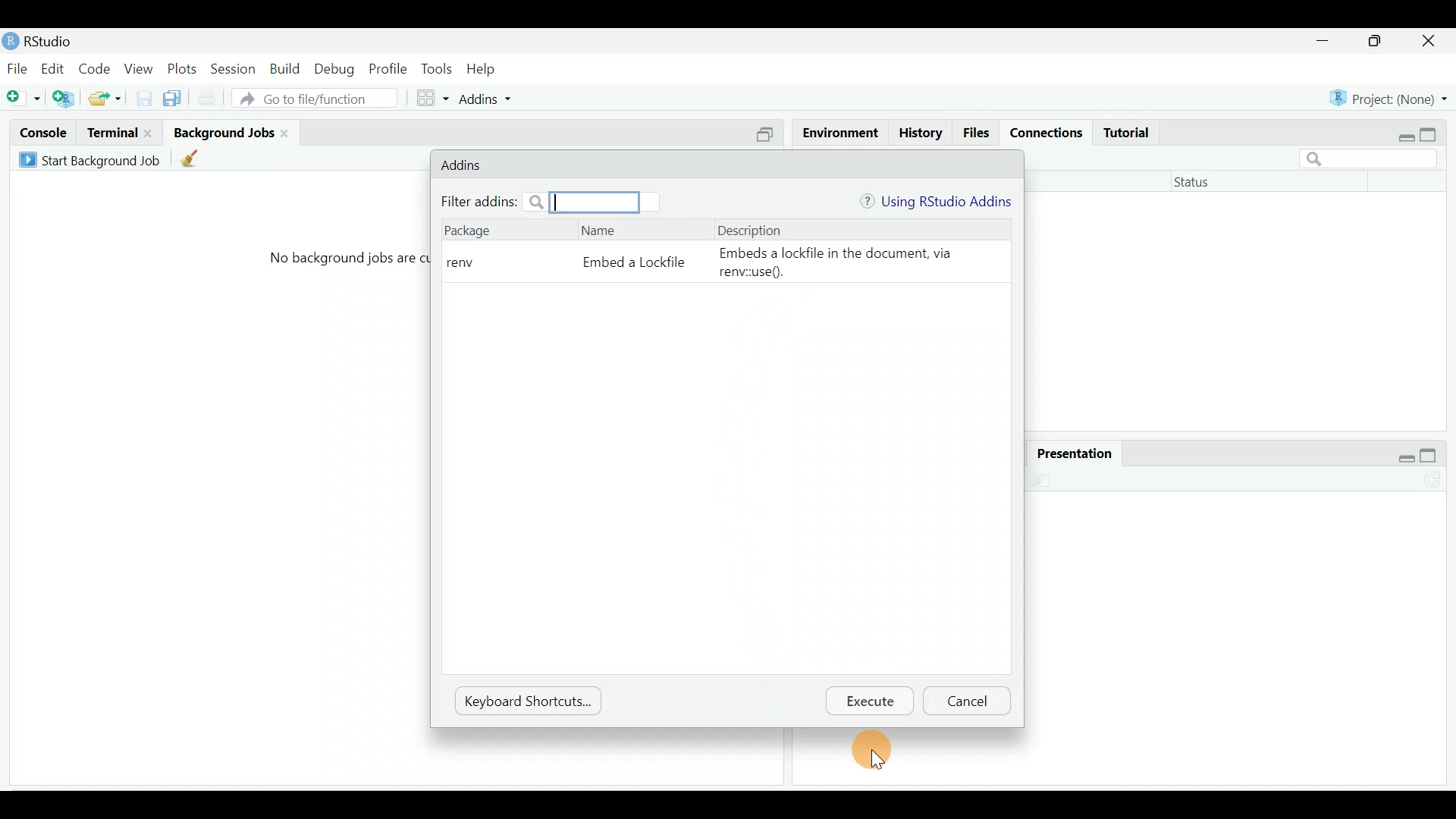  I want to click on Keyboard Shortcuts..., so click(524, 700).